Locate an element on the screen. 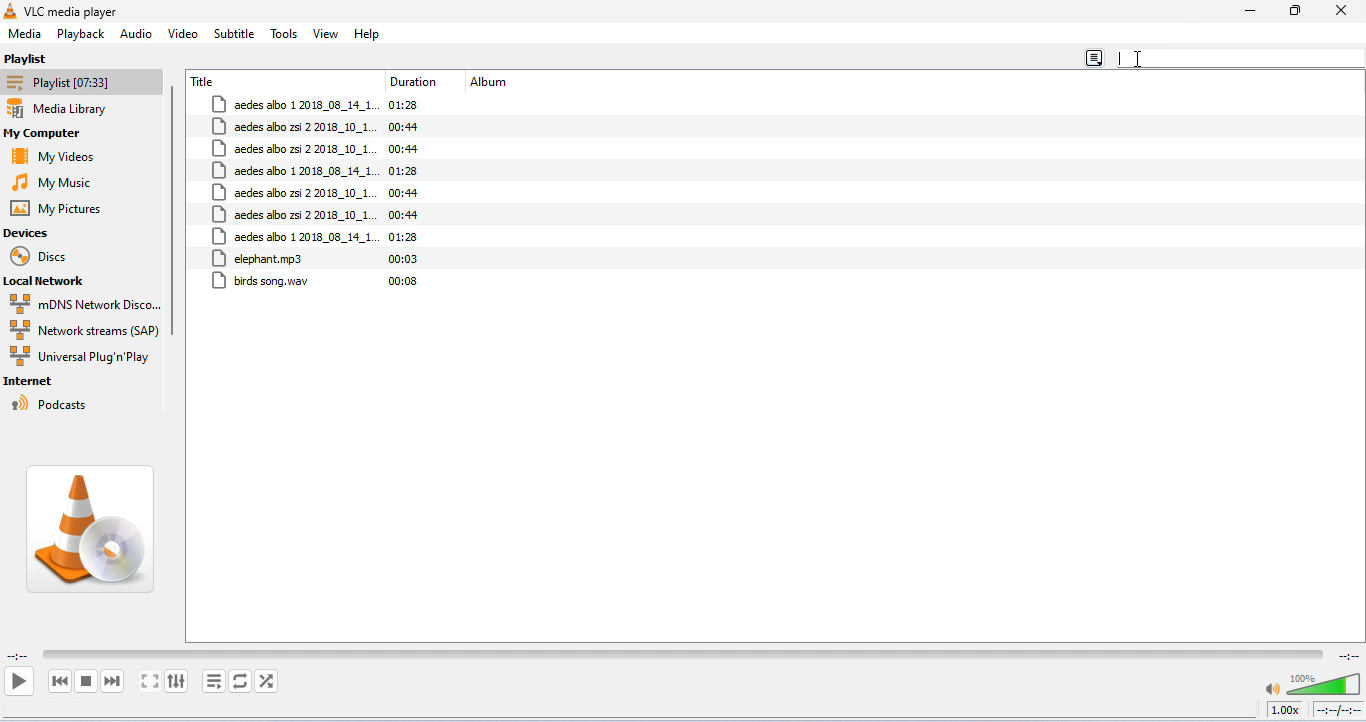  media library is located at coordinates (76, 110).